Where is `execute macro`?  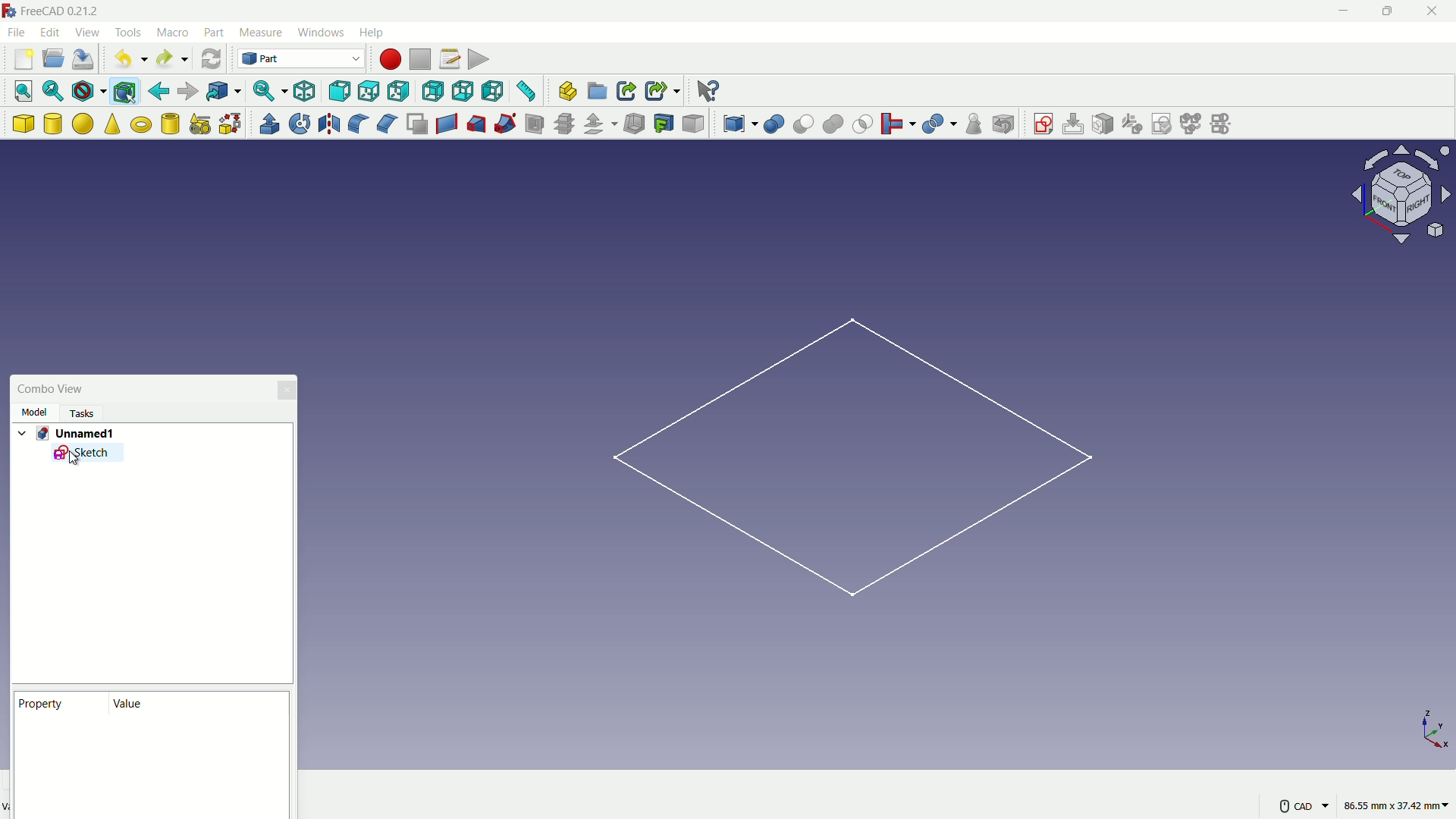
execute macro is located at coordinates (478, 58).